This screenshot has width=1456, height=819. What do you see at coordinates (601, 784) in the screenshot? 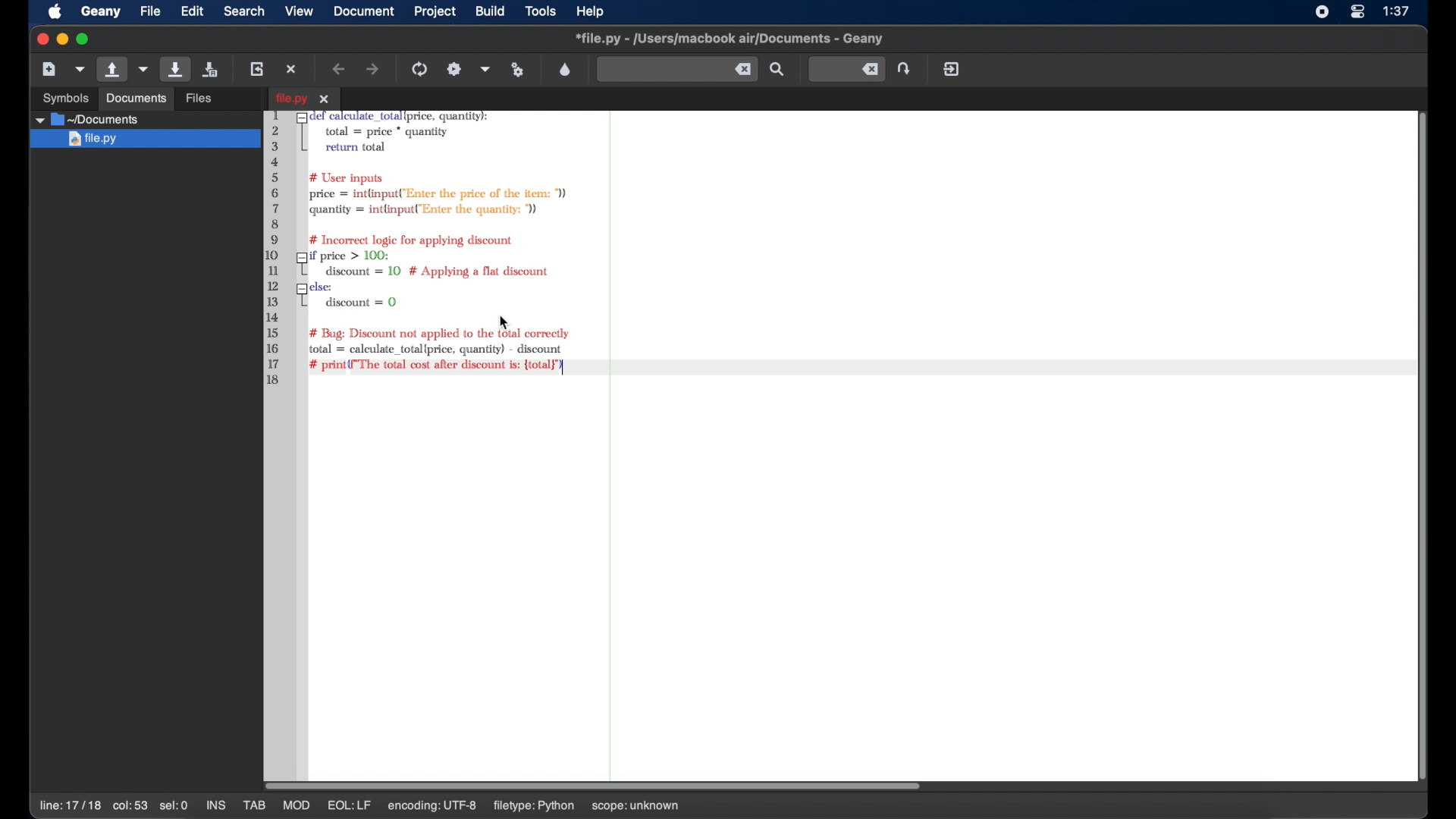
I see `scroll bar` at bounding box center [601, 784].